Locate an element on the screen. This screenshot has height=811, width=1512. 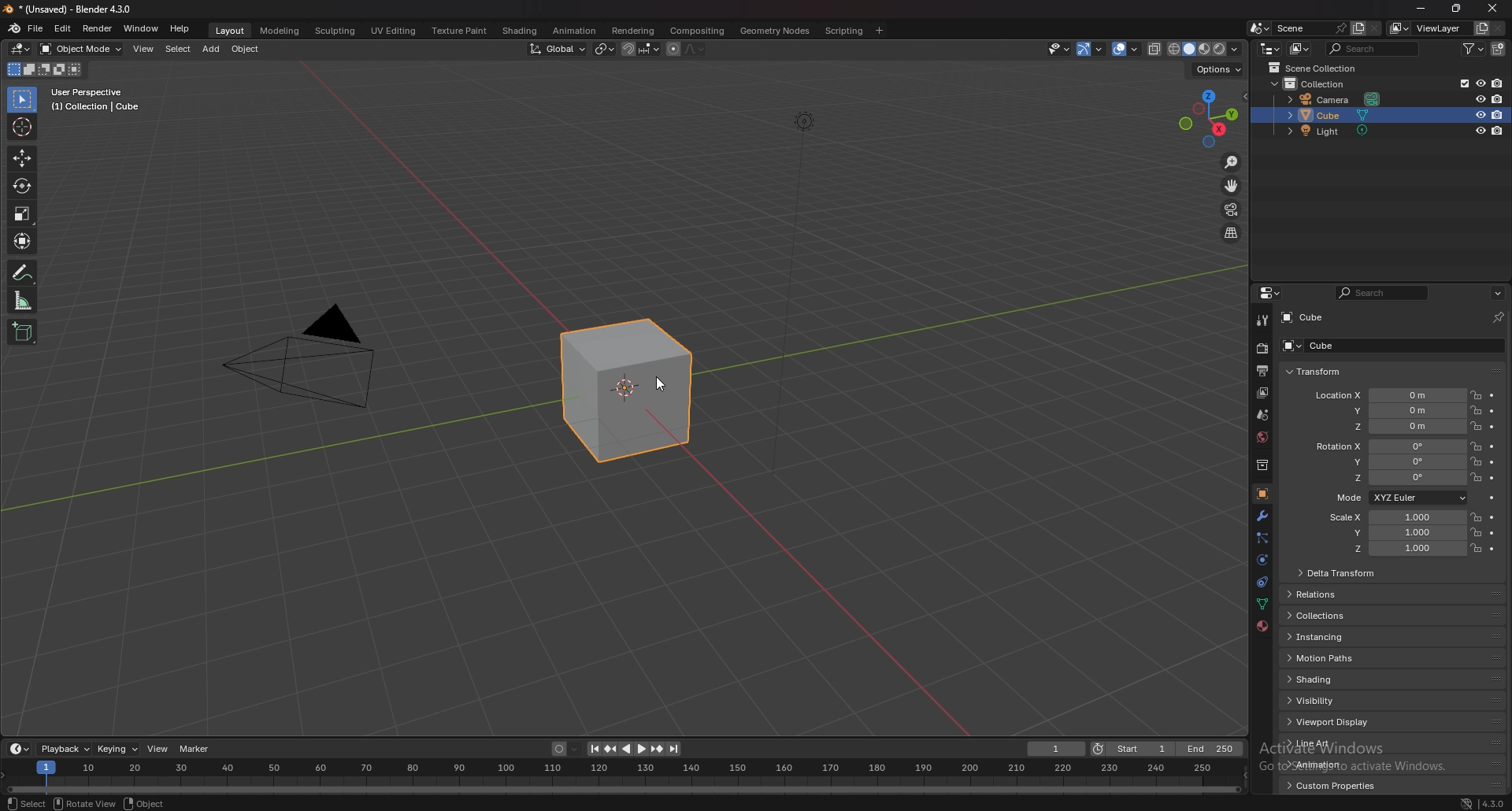
add view layer is located at coordinates (1481, 28).